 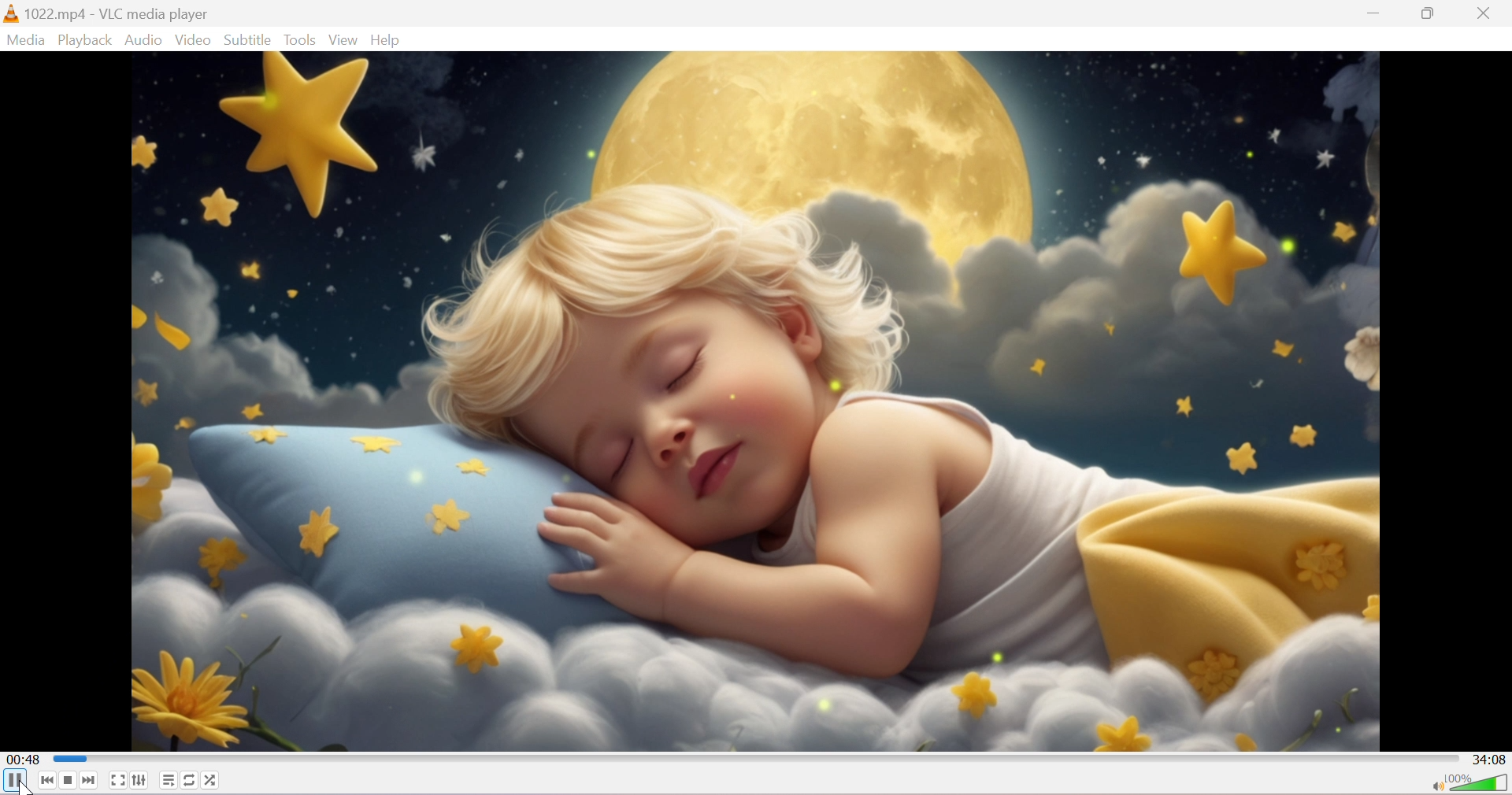 I want to click on Show extended settings, so click(x=143, y=780).